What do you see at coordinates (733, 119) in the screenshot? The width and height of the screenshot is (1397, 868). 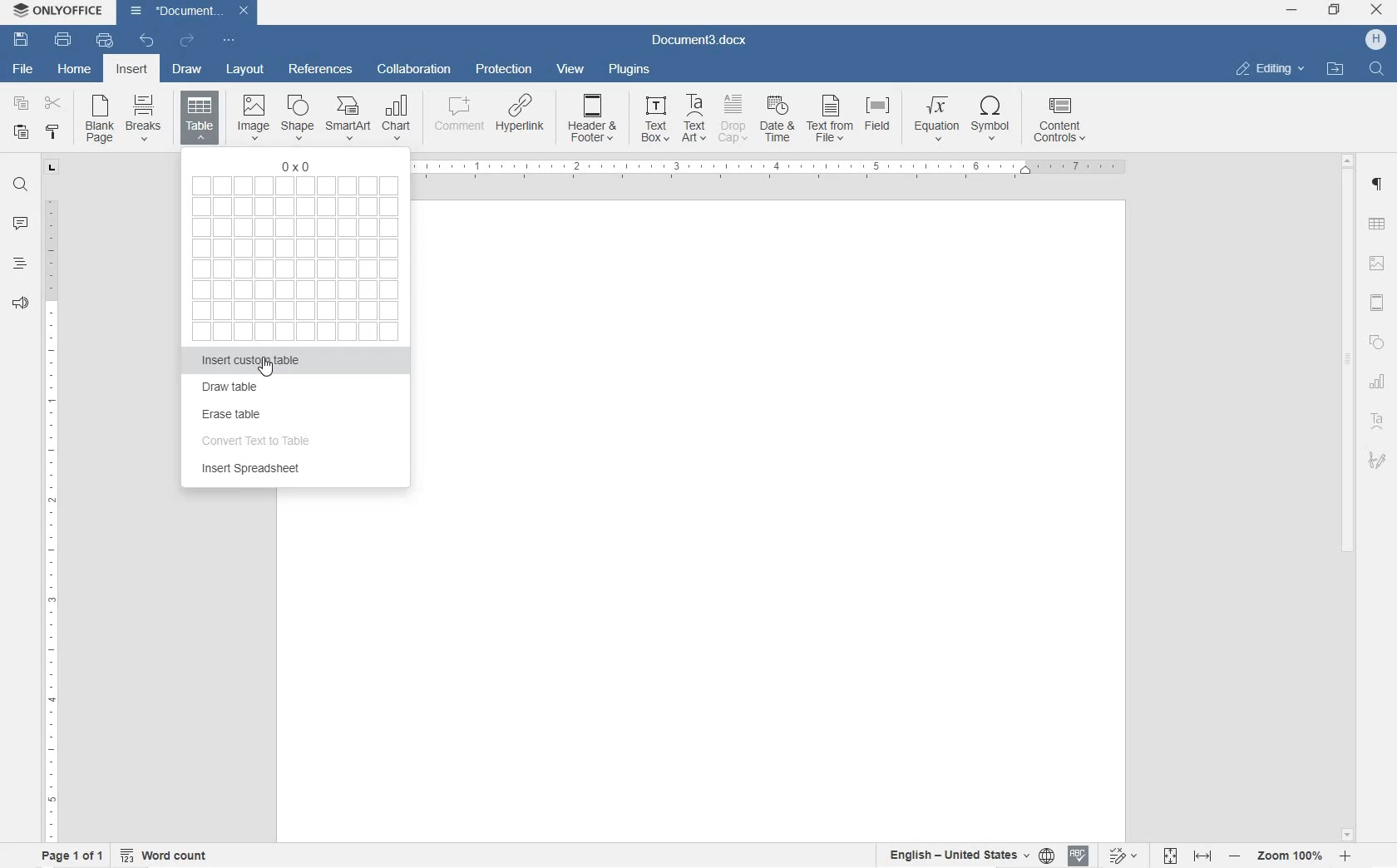 I see `Drop Cap` at bounding box center [733, 119].